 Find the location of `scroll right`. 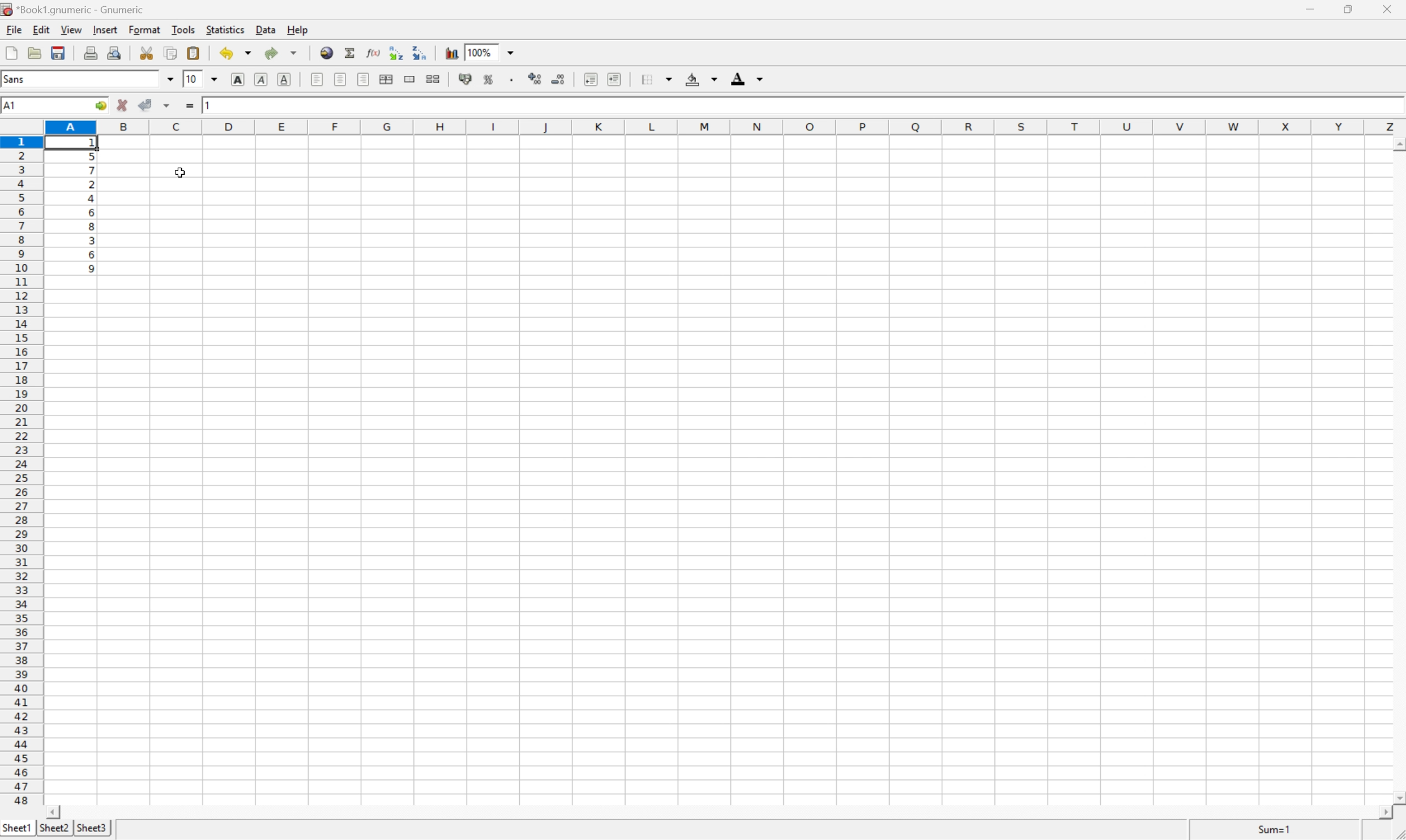

scroll right is located at coordinates (1379, 813).